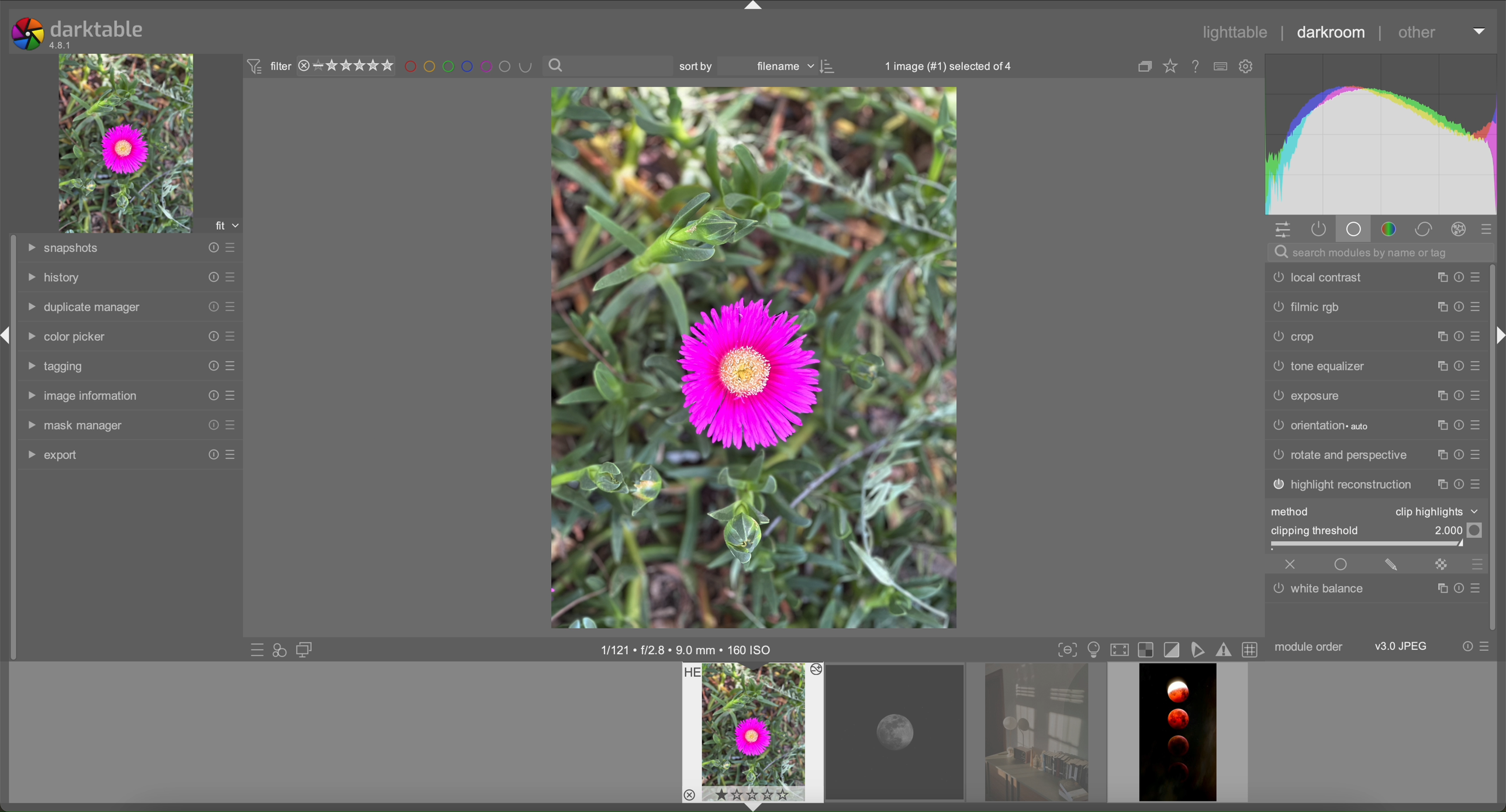 Image resolution: width=1506 pixels, height=812 pixels. I want to click on quick access to presets, so click(256, 649).